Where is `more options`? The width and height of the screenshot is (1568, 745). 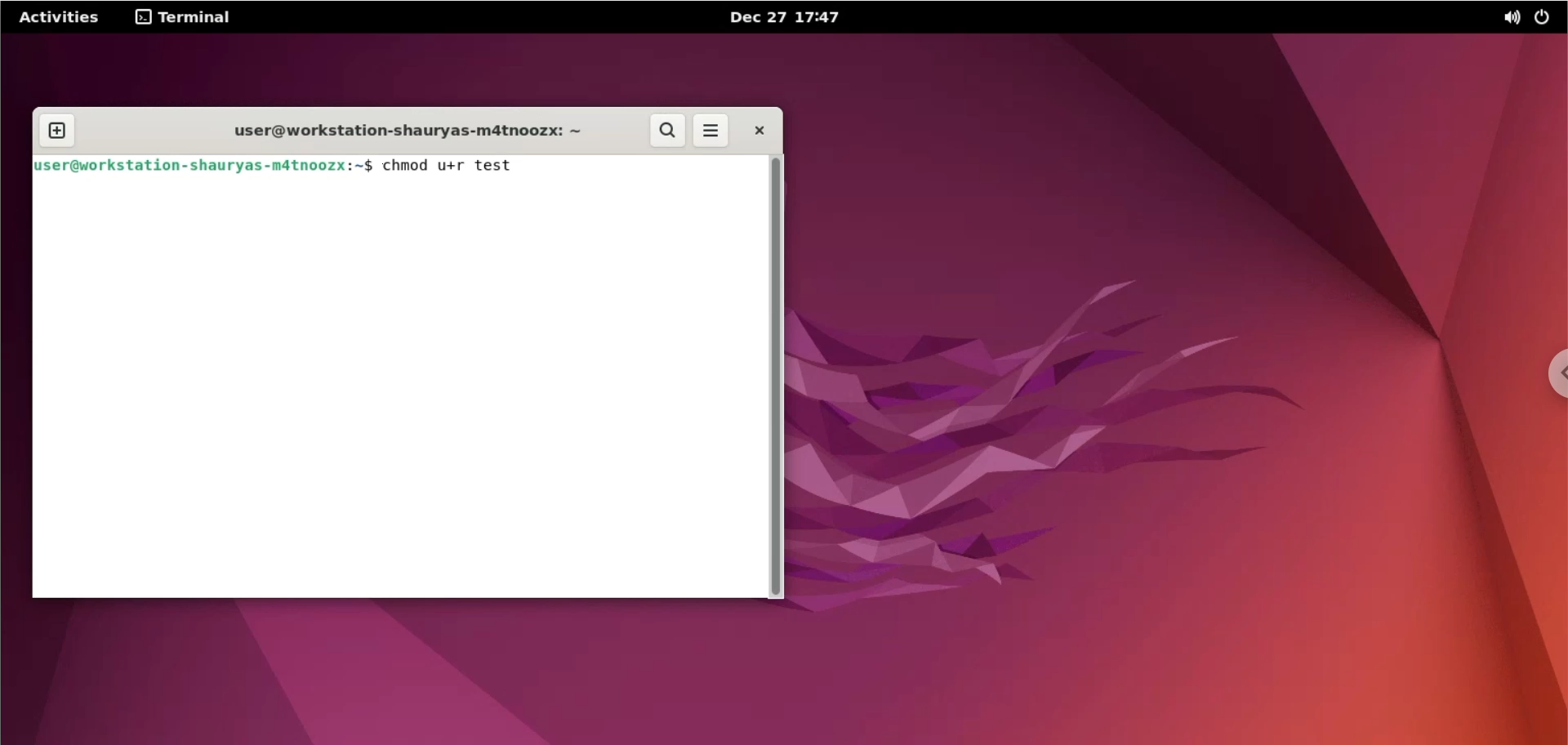
more options is located at coordinates (714, 131).